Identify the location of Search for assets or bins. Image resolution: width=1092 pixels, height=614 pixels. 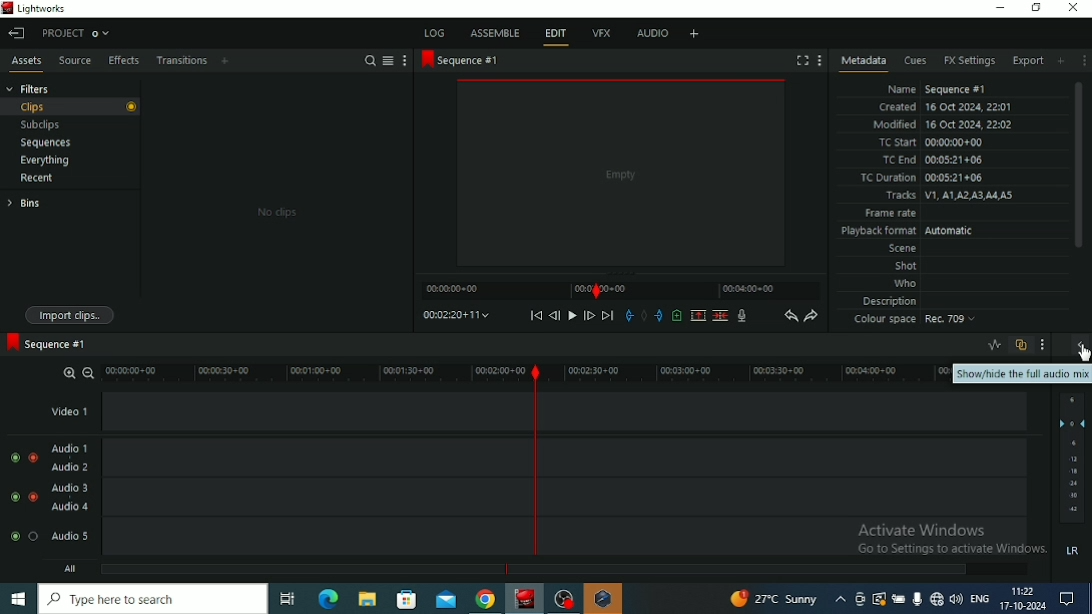
(369, 60).